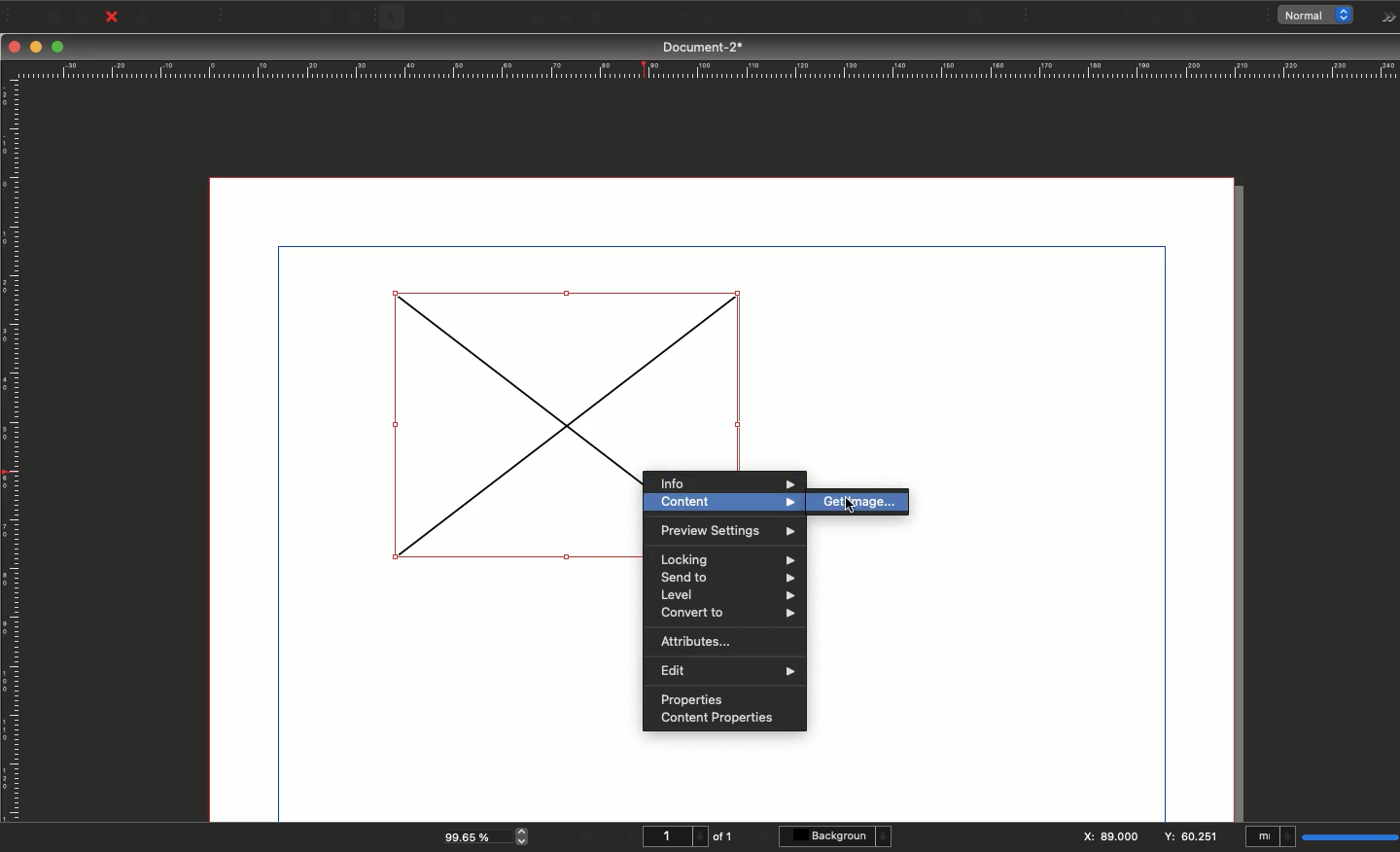  Describe the element at coordinates (327, 18) in the screenshot. I see `Copy` at that location.